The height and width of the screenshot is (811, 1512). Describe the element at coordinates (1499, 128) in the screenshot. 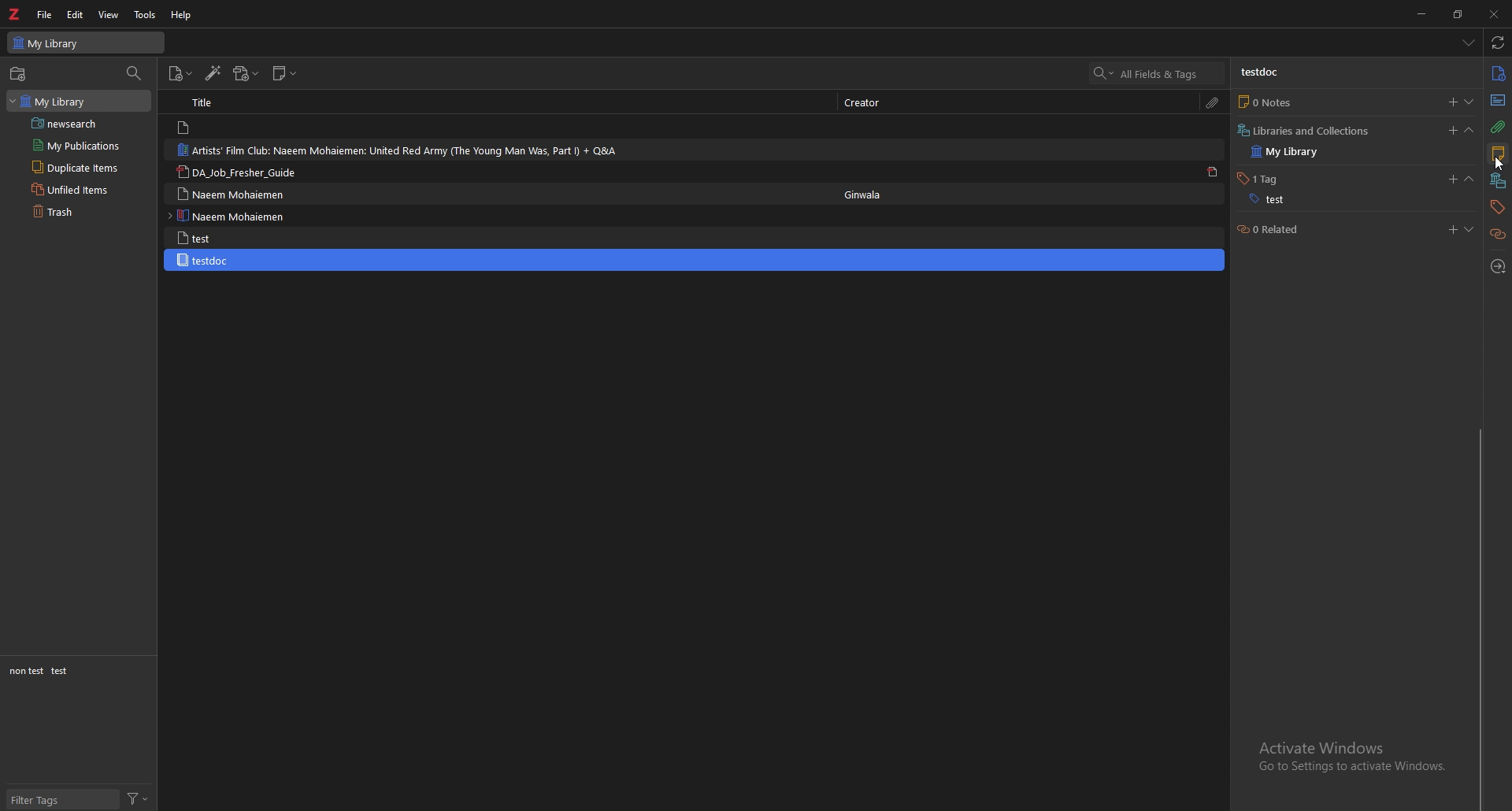

I see `attachment` at that location.